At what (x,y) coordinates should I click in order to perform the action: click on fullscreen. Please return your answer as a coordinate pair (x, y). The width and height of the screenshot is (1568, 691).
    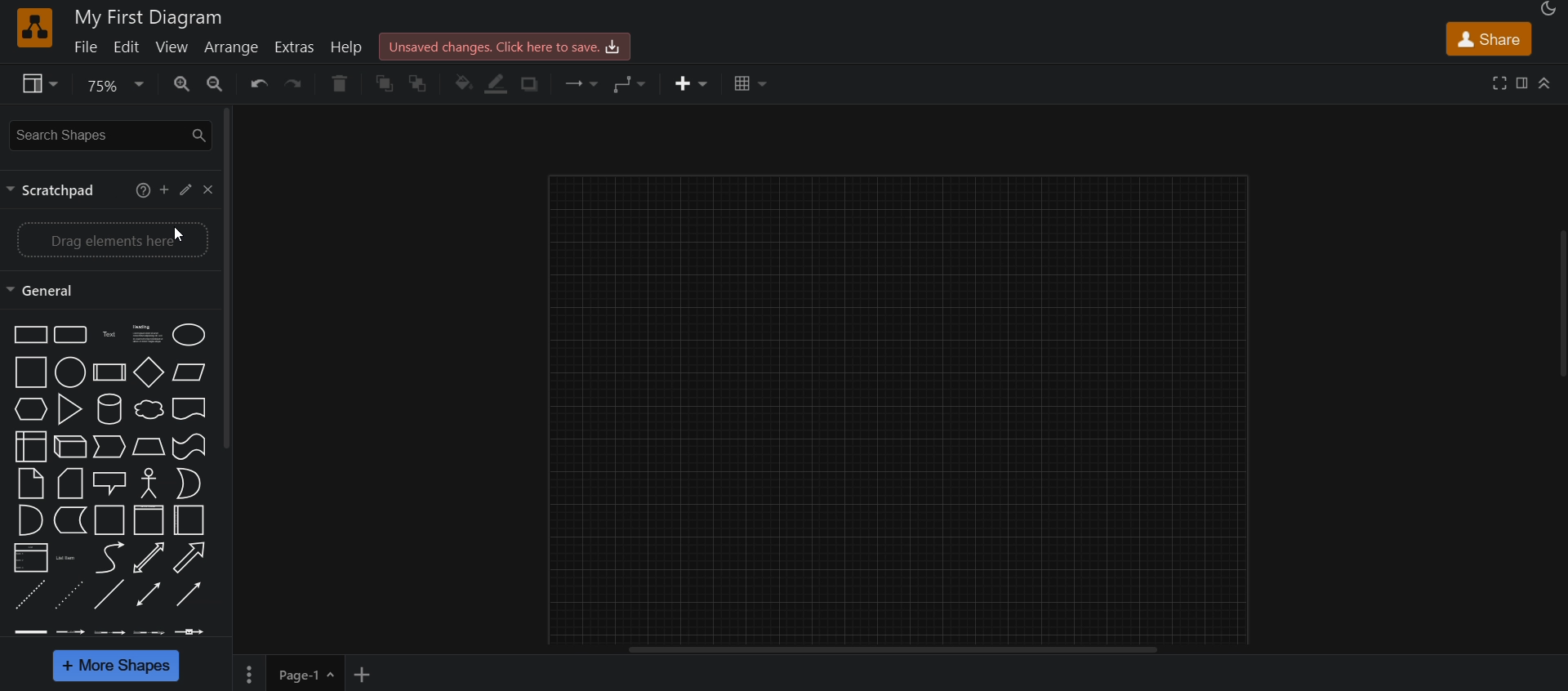
    Looking at the image, I should click on (1498, 84).